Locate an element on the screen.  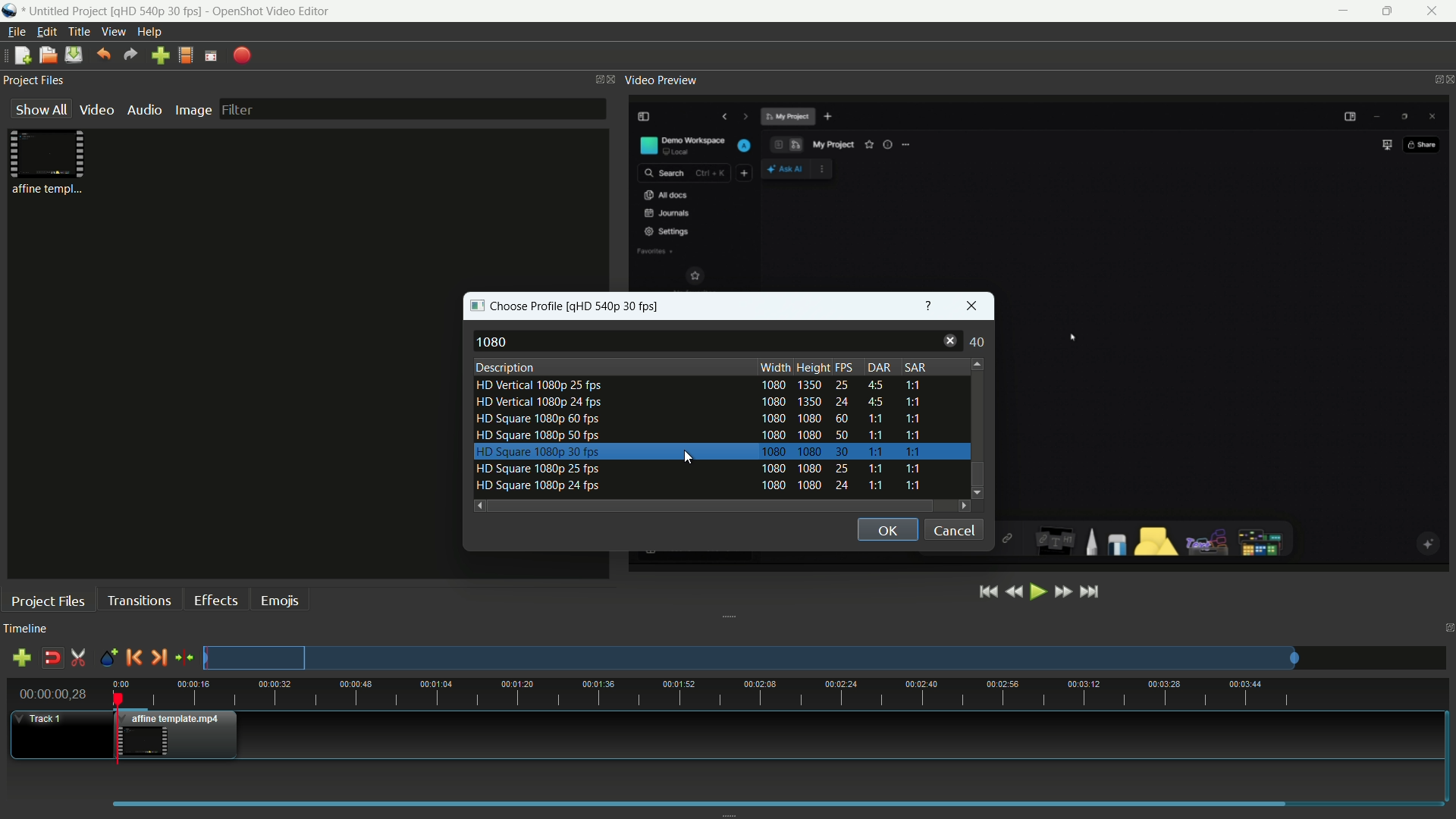
video is located at coordinates (97, 110).